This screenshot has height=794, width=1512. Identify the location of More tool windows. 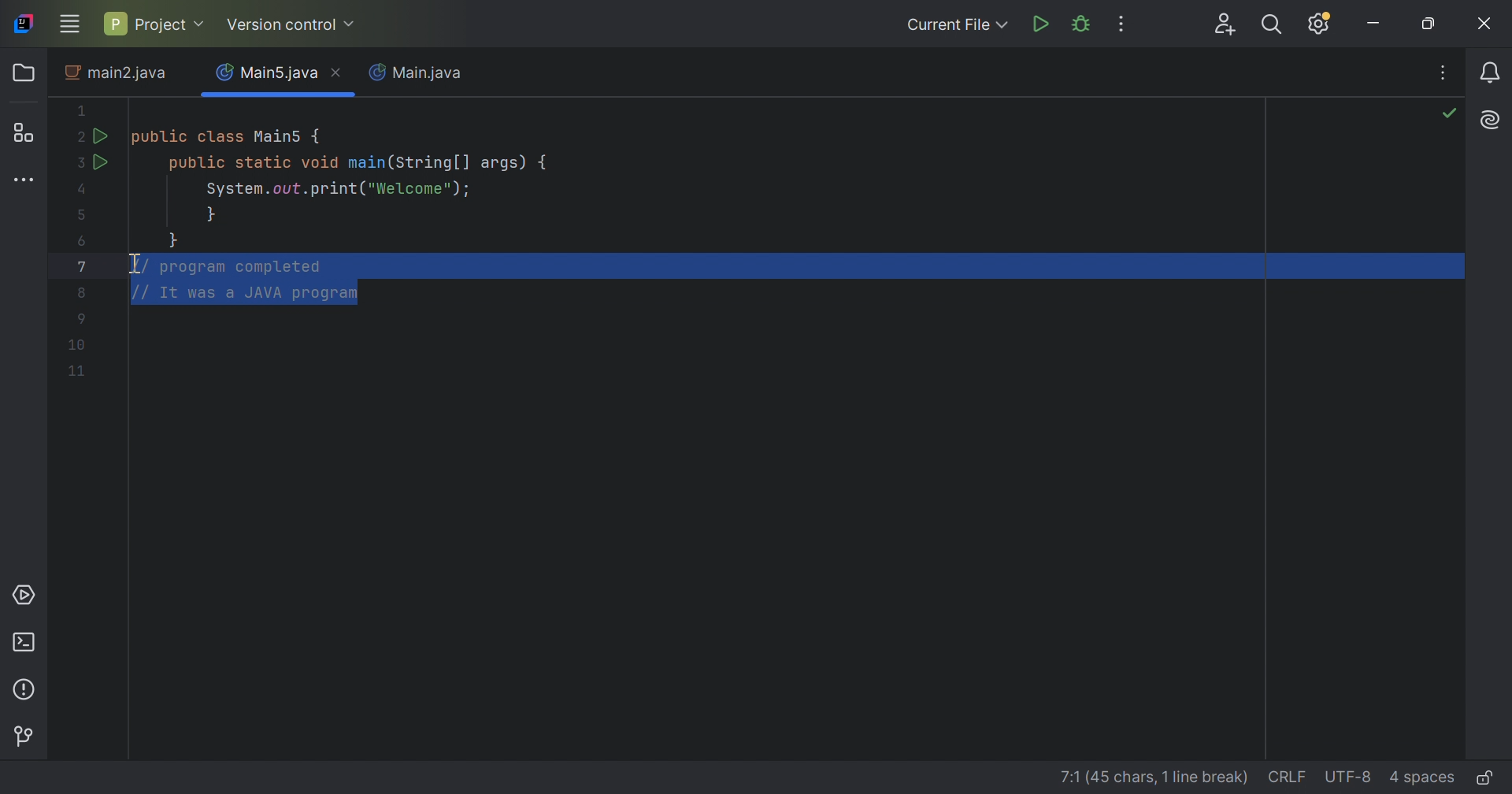
(23, 181).